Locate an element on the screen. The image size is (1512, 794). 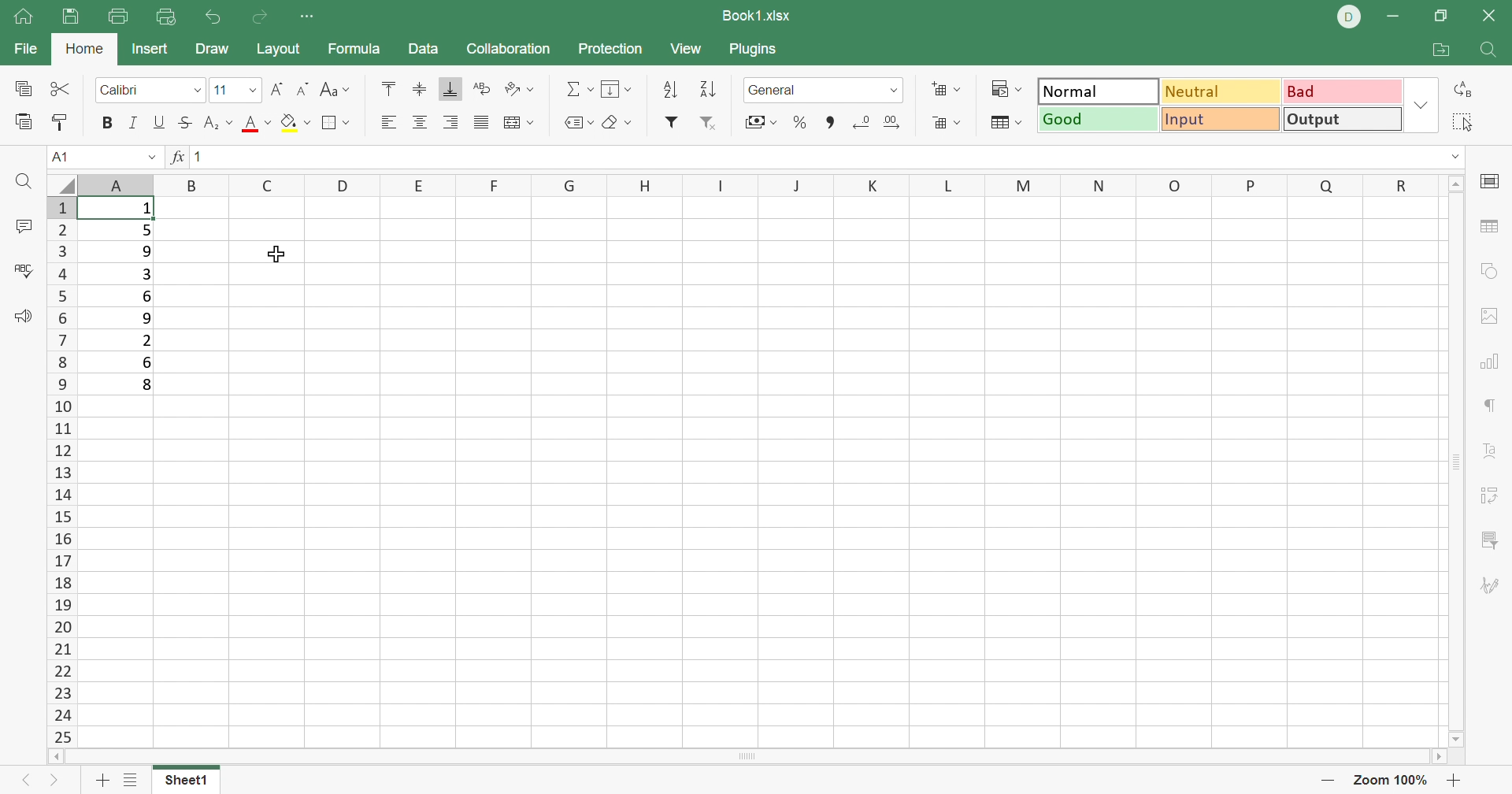
Font is located at coordinates (138, 90).